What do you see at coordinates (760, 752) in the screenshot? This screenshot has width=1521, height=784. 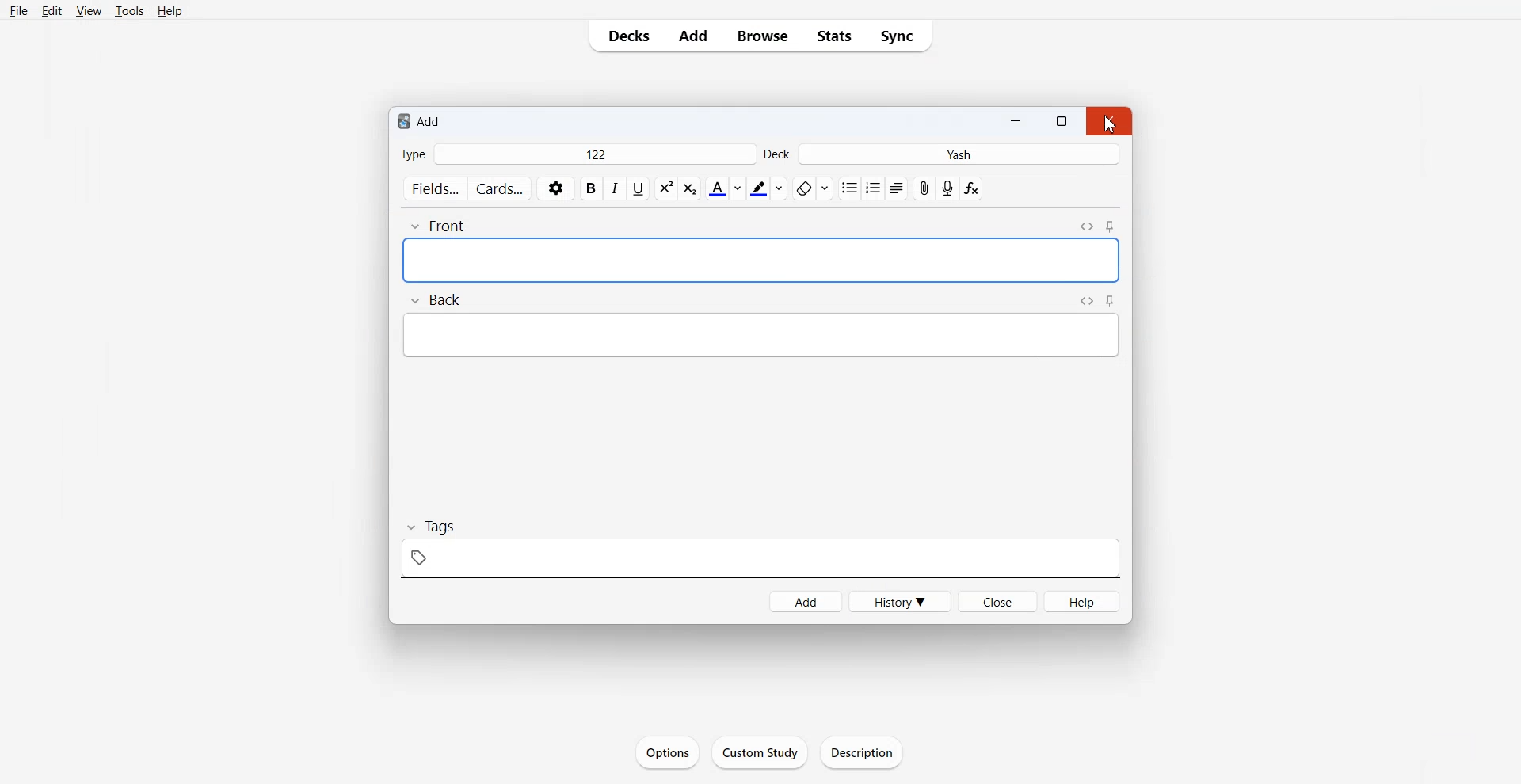 I see `Custom Study` at bounding box center [760, 752].